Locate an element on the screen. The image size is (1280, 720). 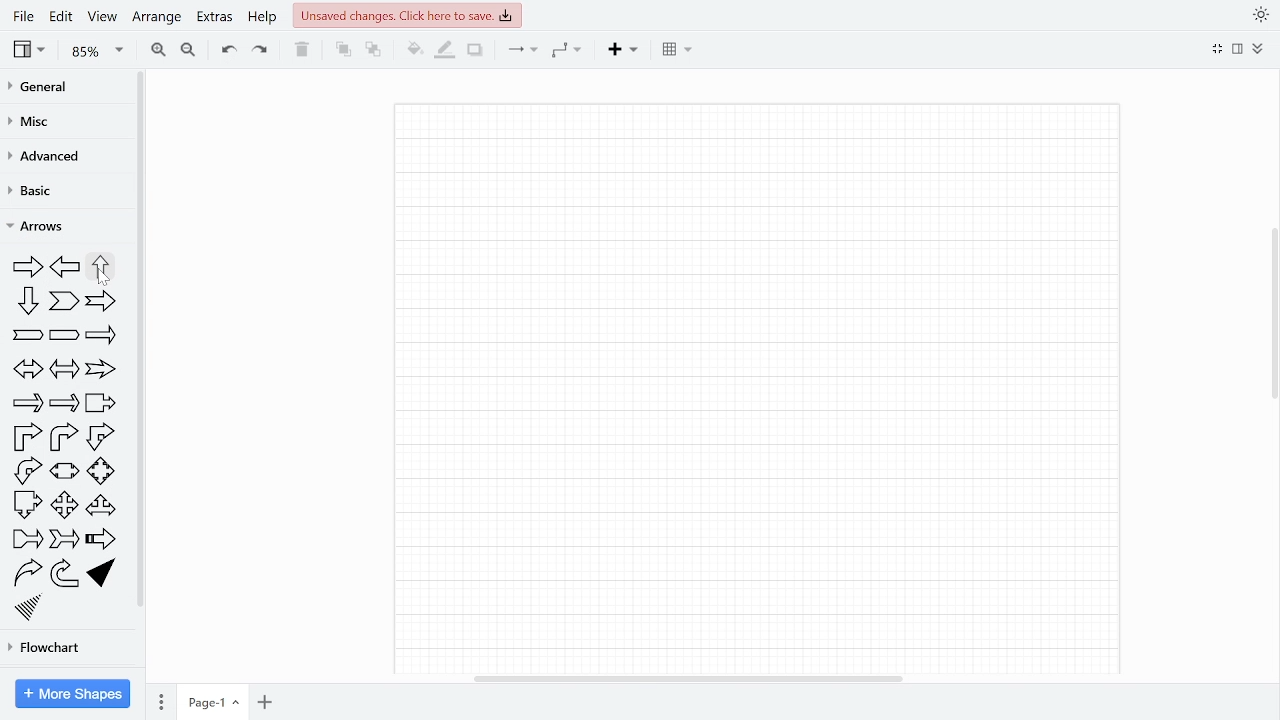
Zoom in is located at coordinates (157, 50).